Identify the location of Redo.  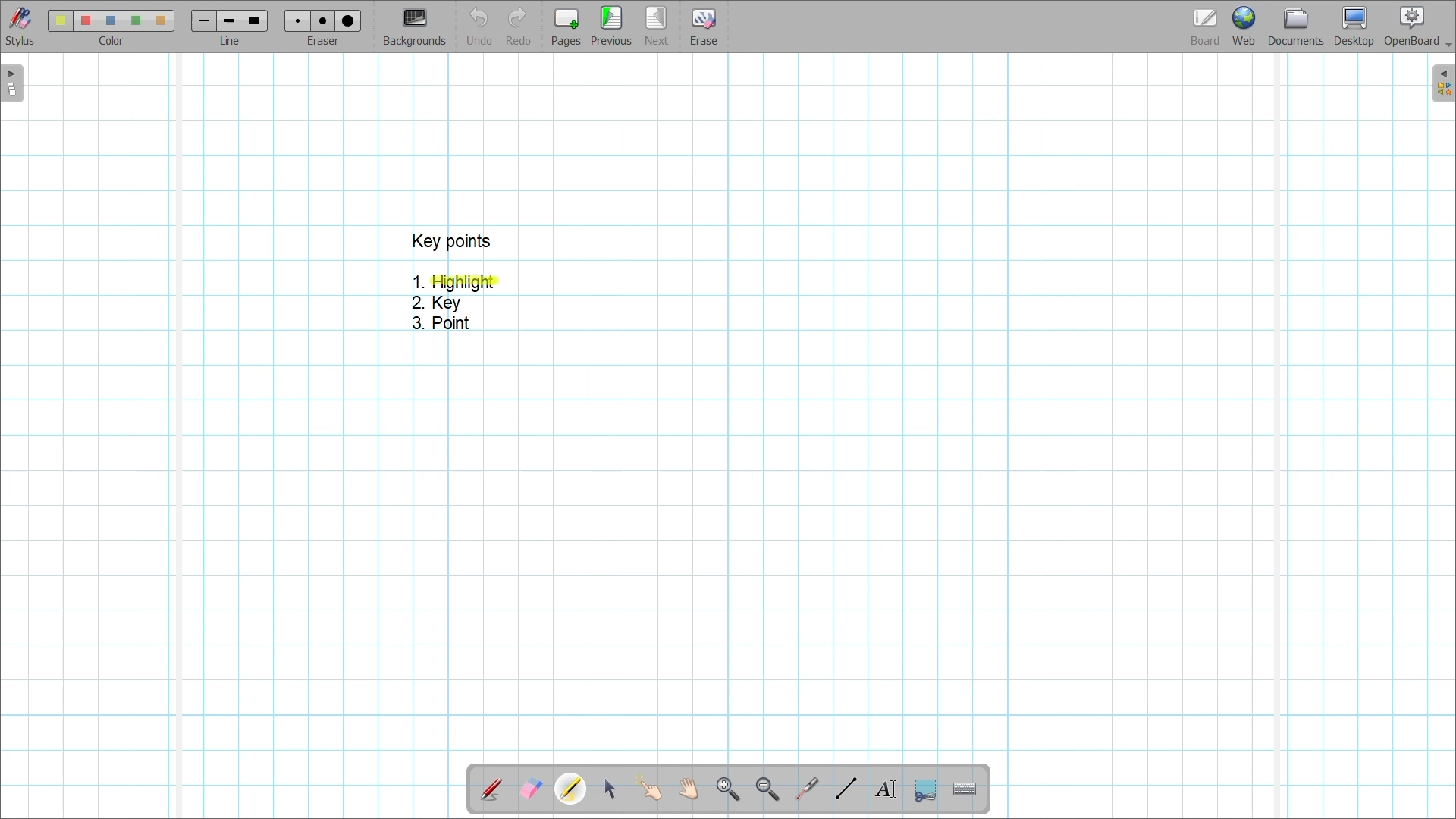
(519, 26).